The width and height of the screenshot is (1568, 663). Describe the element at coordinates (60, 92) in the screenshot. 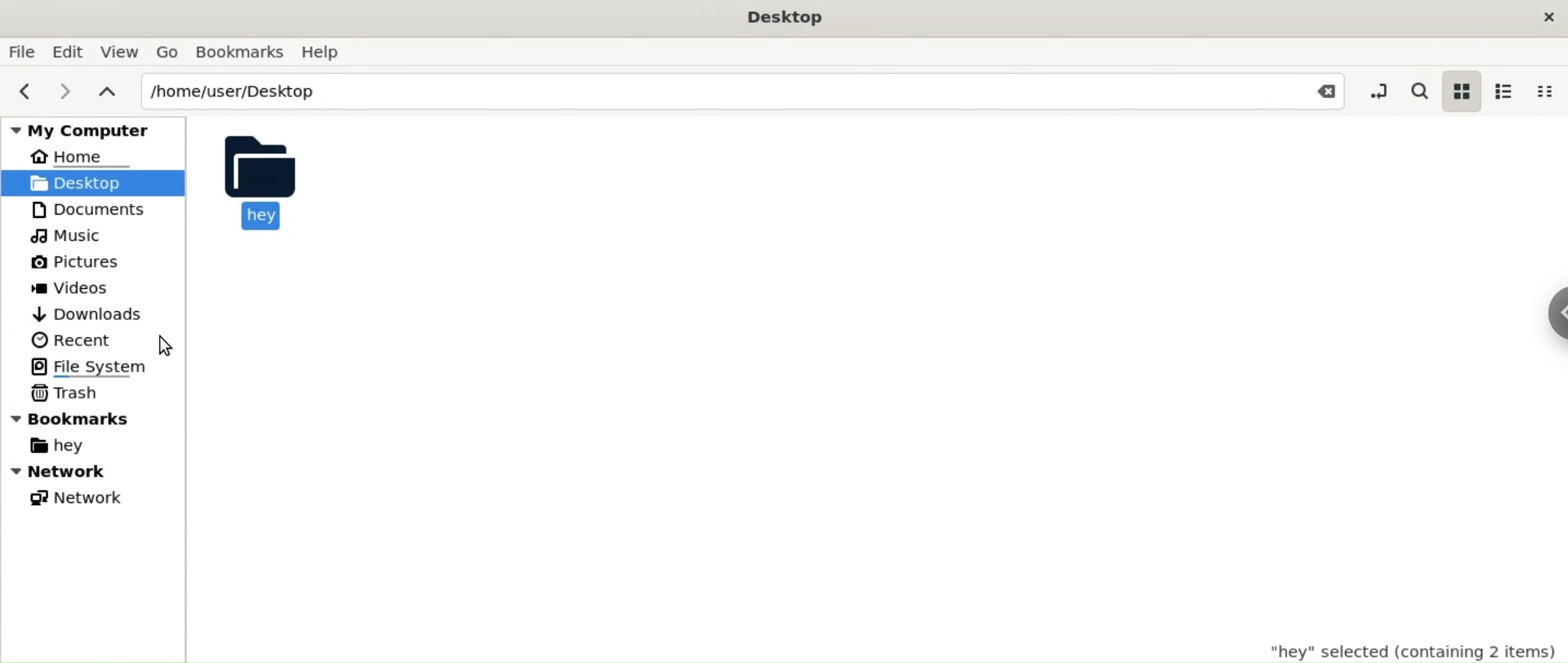

I see `next` at that location.